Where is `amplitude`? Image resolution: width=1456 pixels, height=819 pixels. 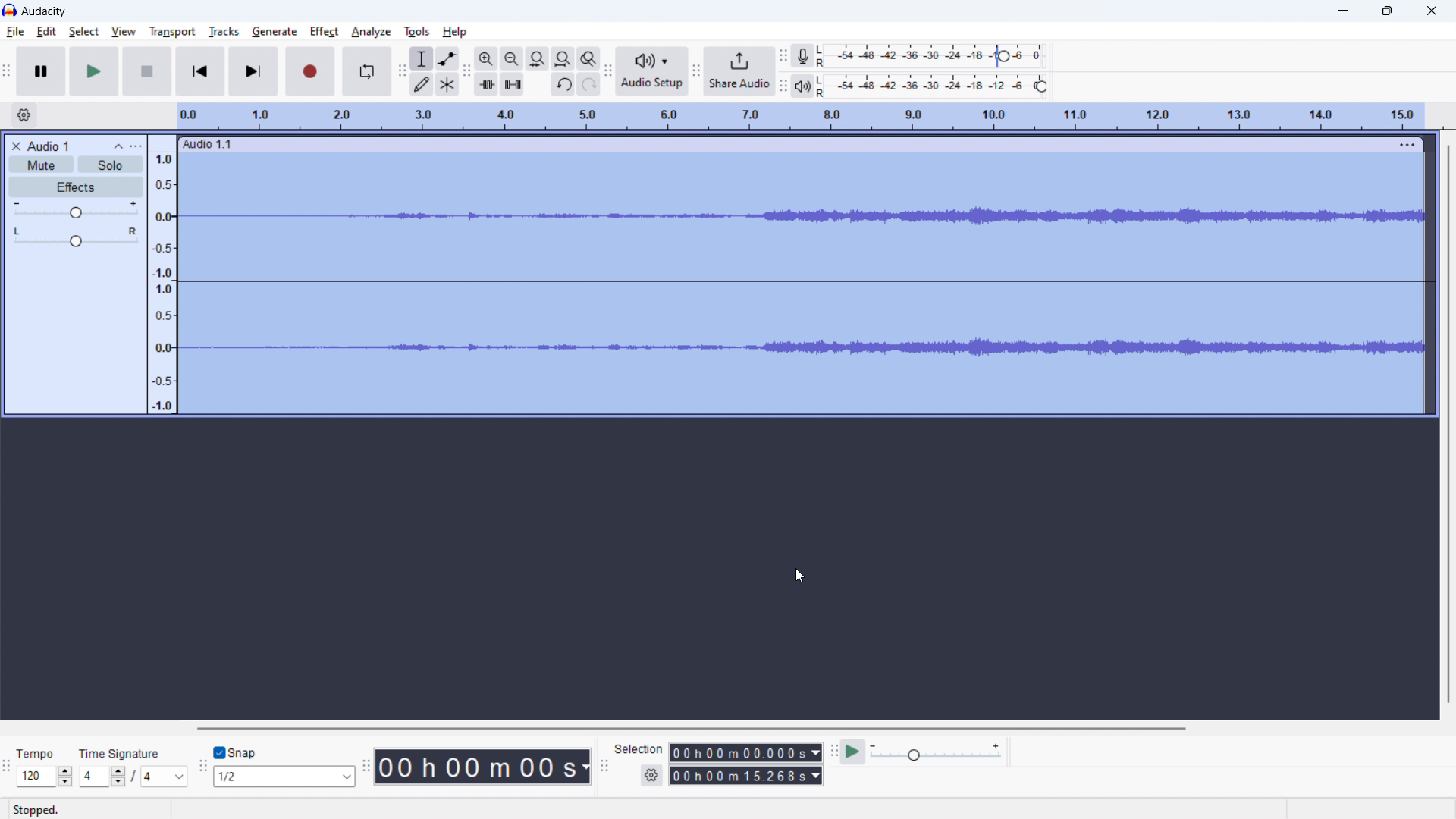 amplitude is located at coordinates (162, 275).